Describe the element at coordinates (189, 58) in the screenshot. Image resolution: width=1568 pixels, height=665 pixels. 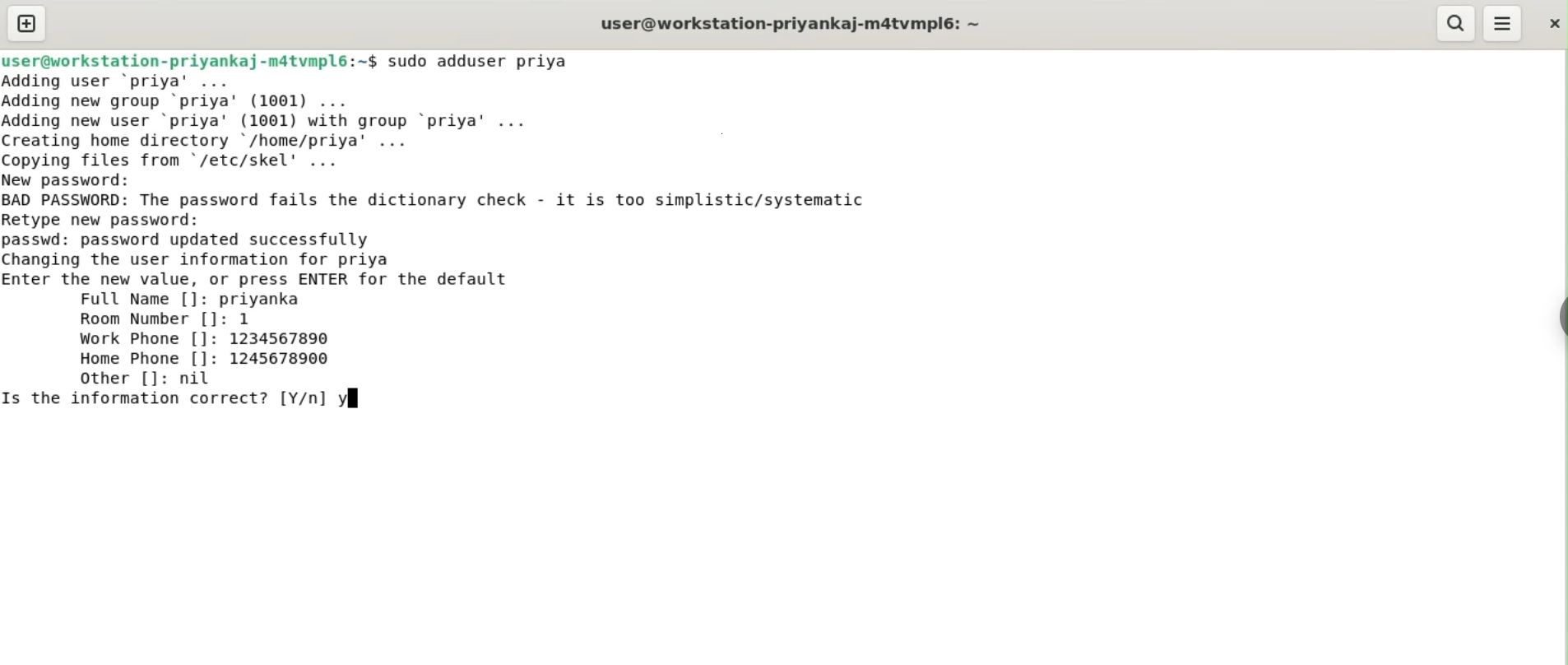
I see `user@workstation-priyankaj-m4tvmpl6:~$` at that location.